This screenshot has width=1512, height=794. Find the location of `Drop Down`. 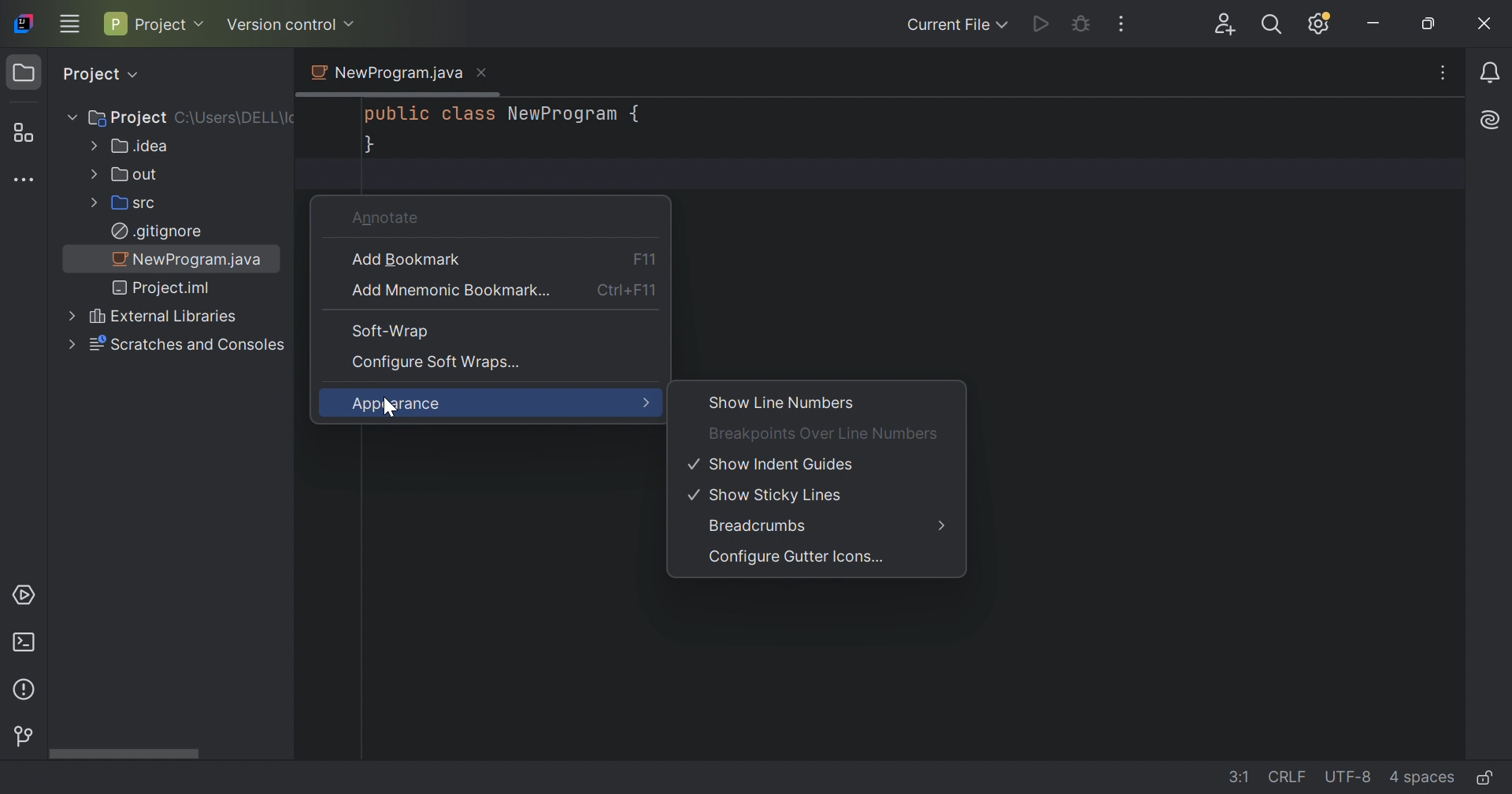

Drop Down is located at coordinates (91, 146).